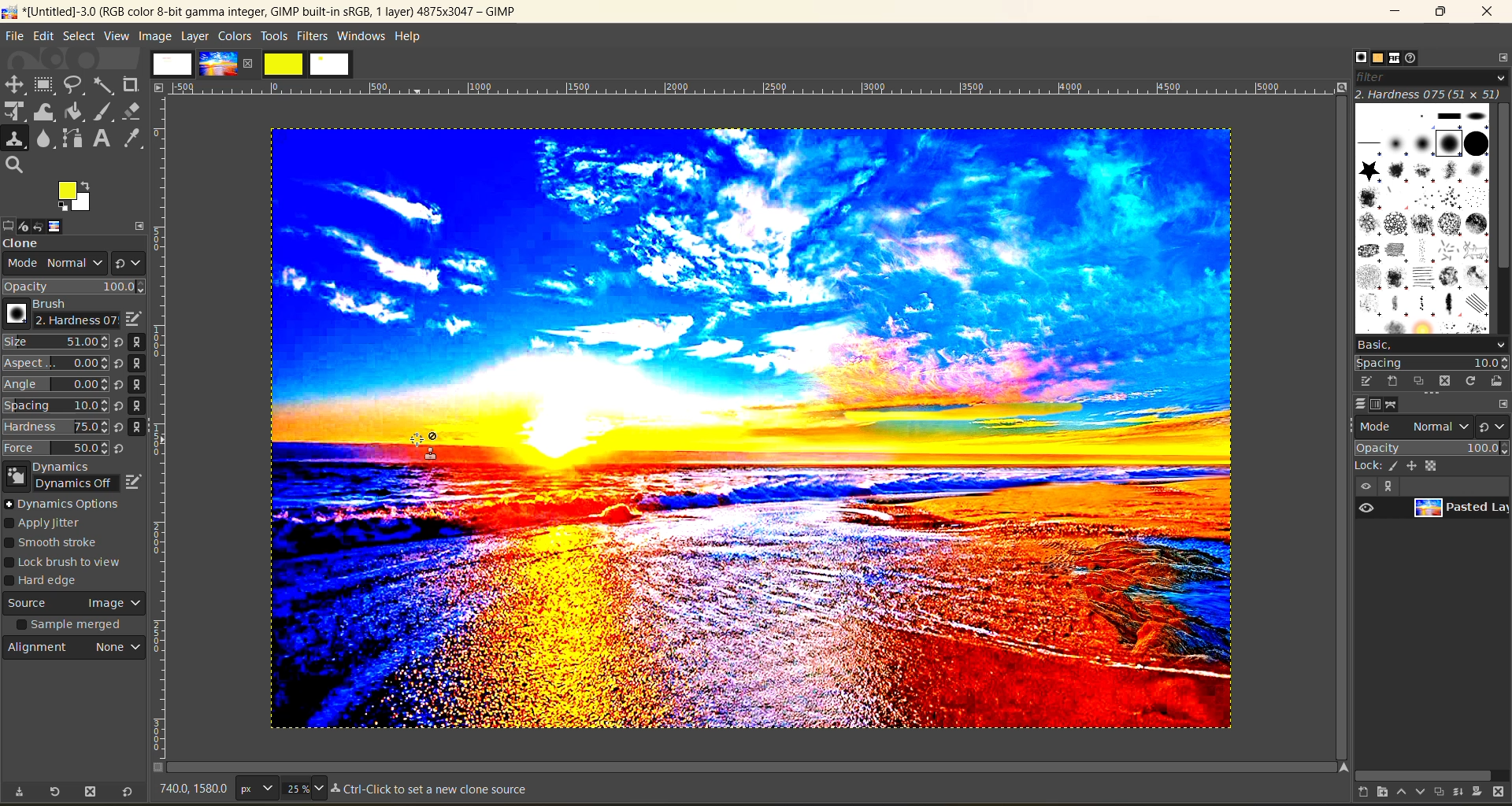 This screenshot has width=1512, height=806. What do you see at coordinates (135, 138) in the screenshot?
I see `color picker tool` at bounding box center [135, 138].